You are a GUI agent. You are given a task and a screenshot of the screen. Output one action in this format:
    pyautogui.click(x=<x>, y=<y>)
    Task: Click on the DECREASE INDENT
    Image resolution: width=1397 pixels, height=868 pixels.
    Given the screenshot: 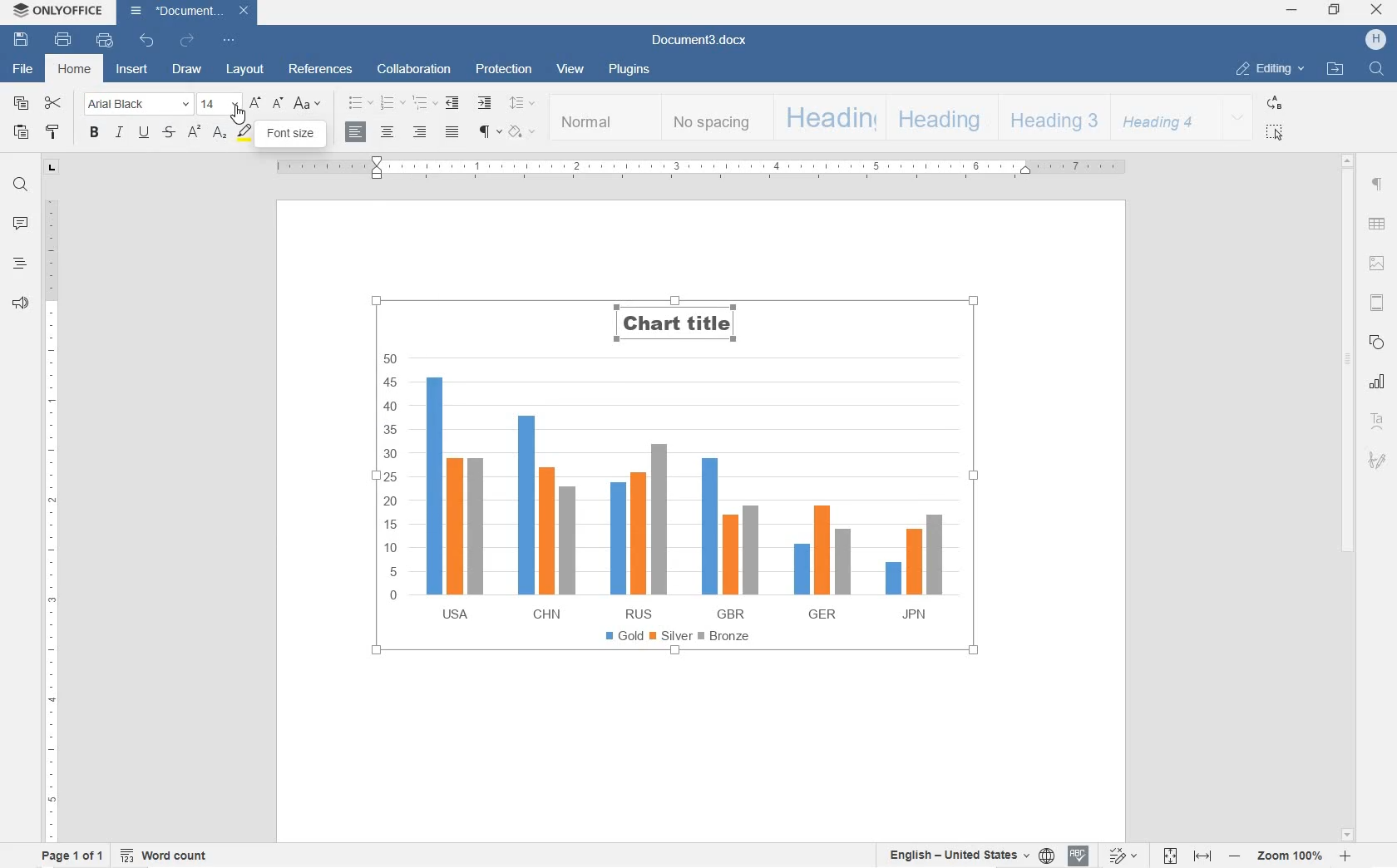 What is the action you would take?
    pyautogui.click(x=451, y=104)
    